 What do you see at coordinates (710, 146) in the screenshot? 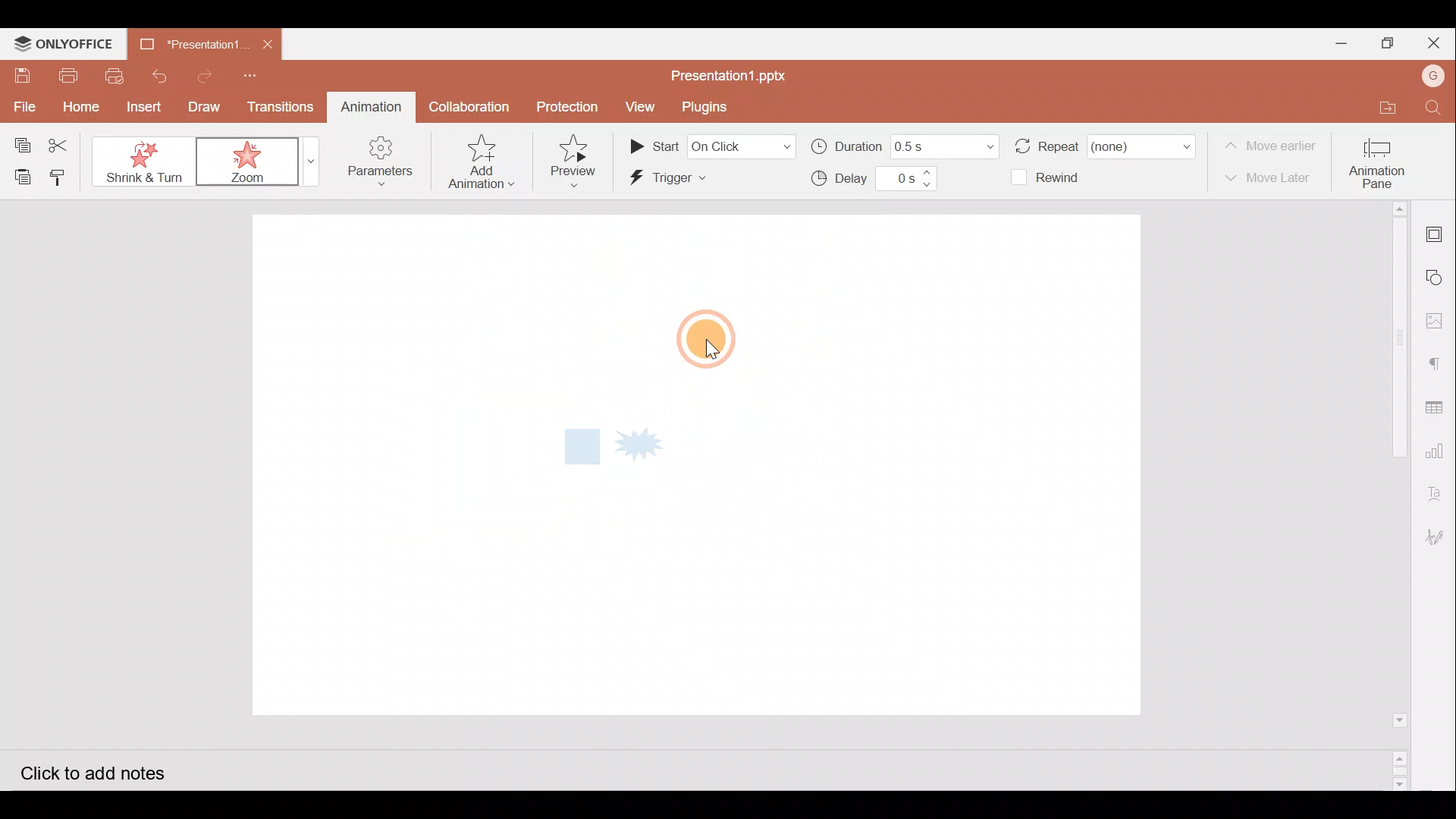
I see `Start` at bounding box center [710, 146].